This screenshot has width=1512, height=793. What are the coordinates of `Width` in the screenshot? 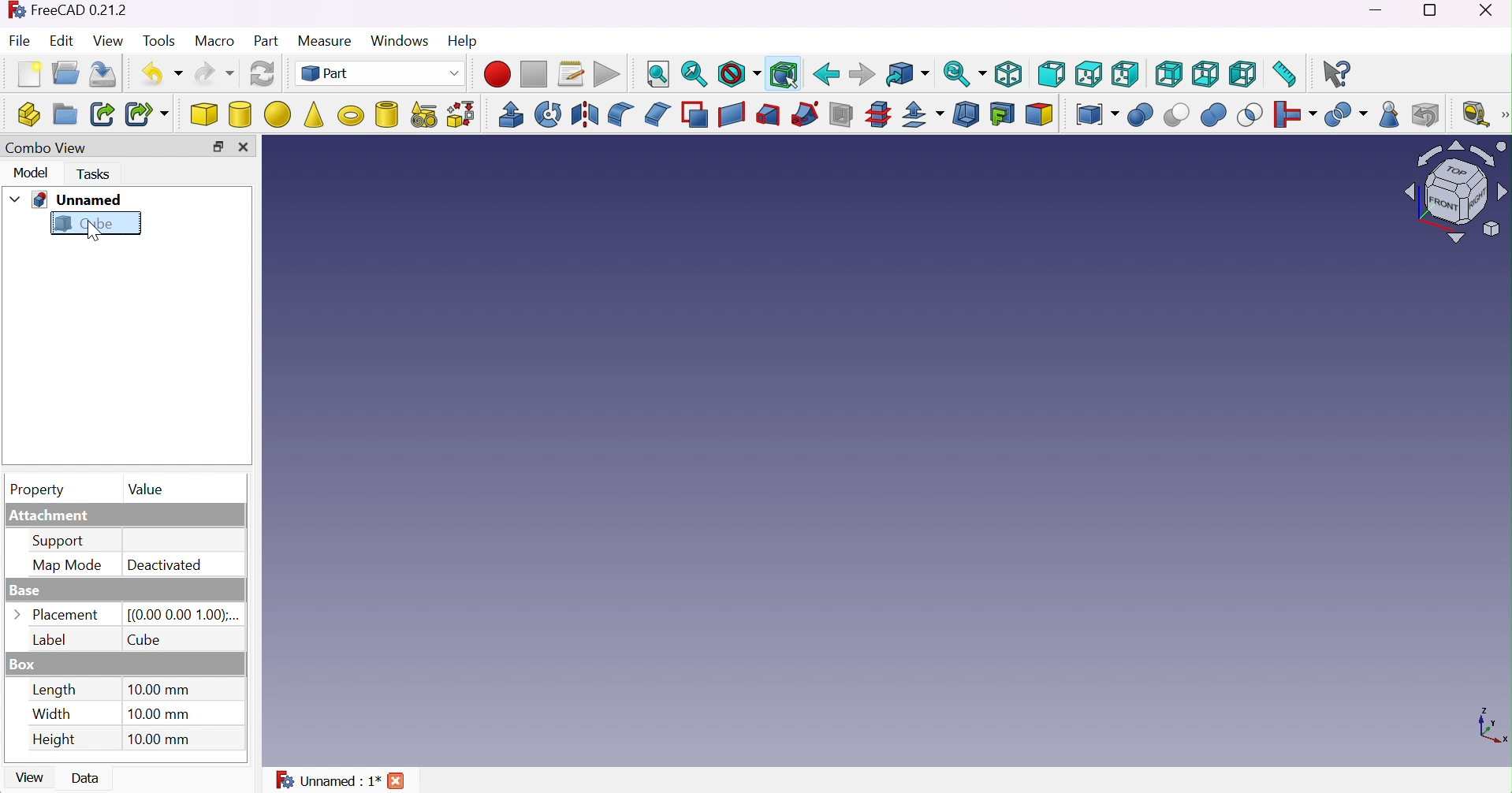 It's located at (54, 714).